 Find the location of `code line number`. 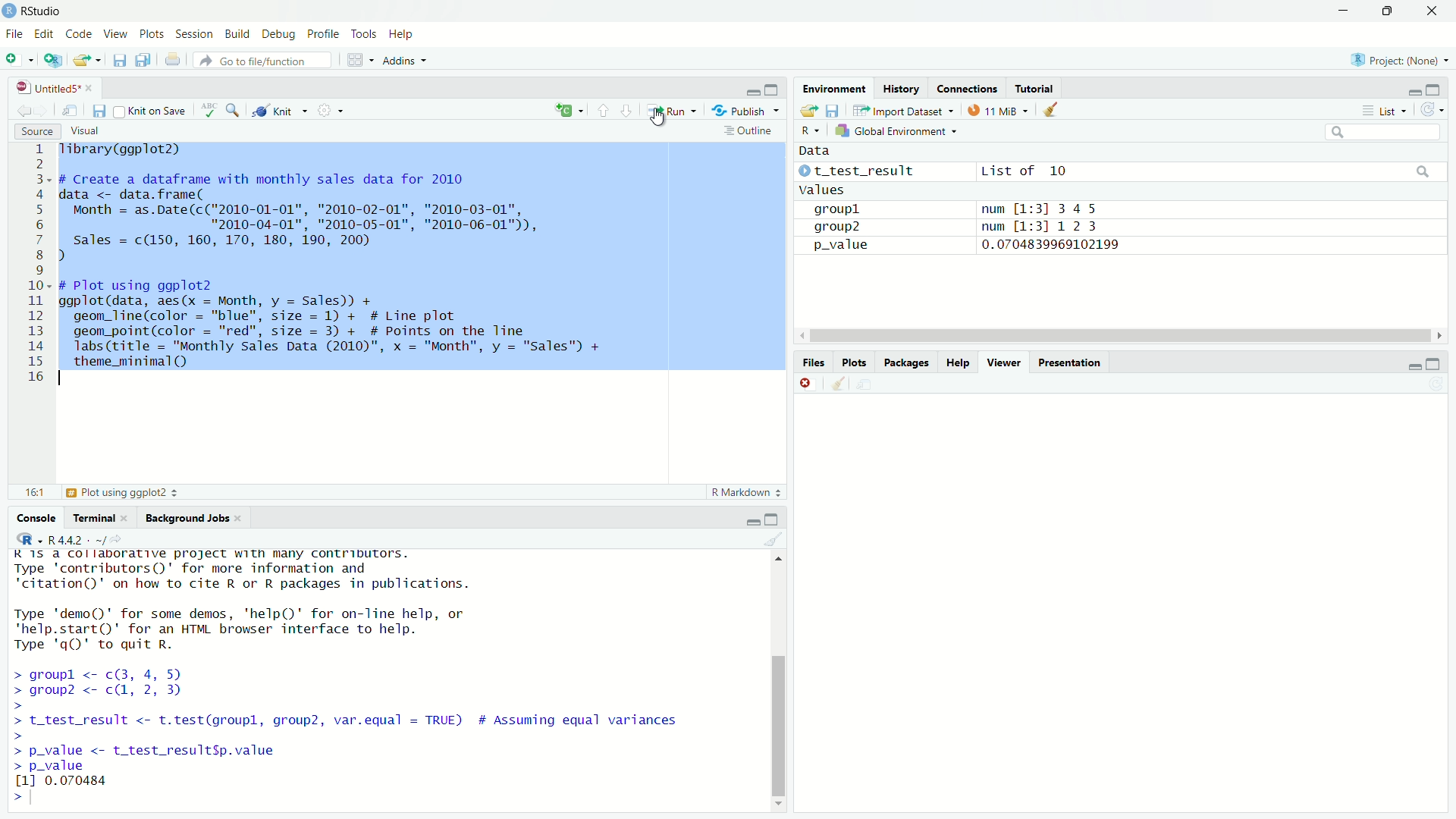

code line number is located at coordinates (39, 265).